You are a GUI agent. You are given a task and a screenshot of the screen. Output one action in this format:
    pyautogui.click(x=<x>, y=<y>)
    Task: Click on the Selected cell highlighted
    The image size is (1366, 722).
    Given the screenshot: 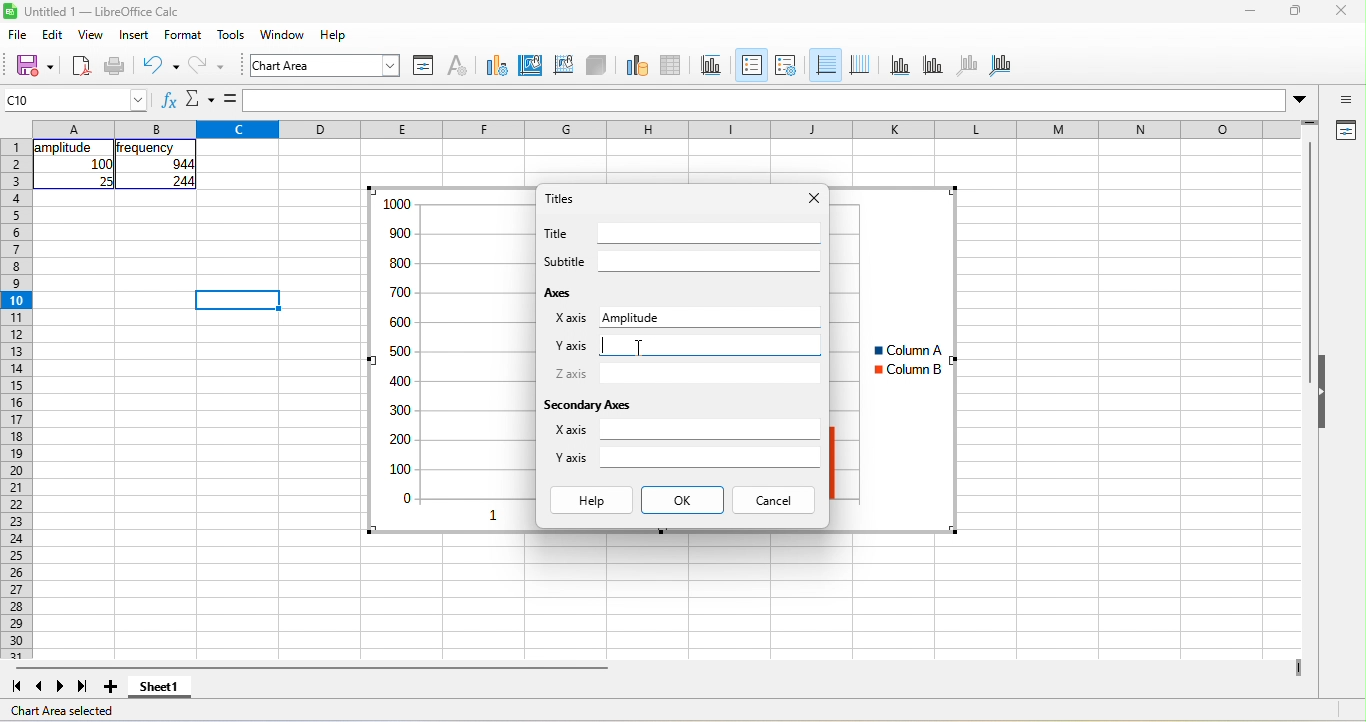 What is the action you would take?
    pyautogui.click(x=237, y=300)
    